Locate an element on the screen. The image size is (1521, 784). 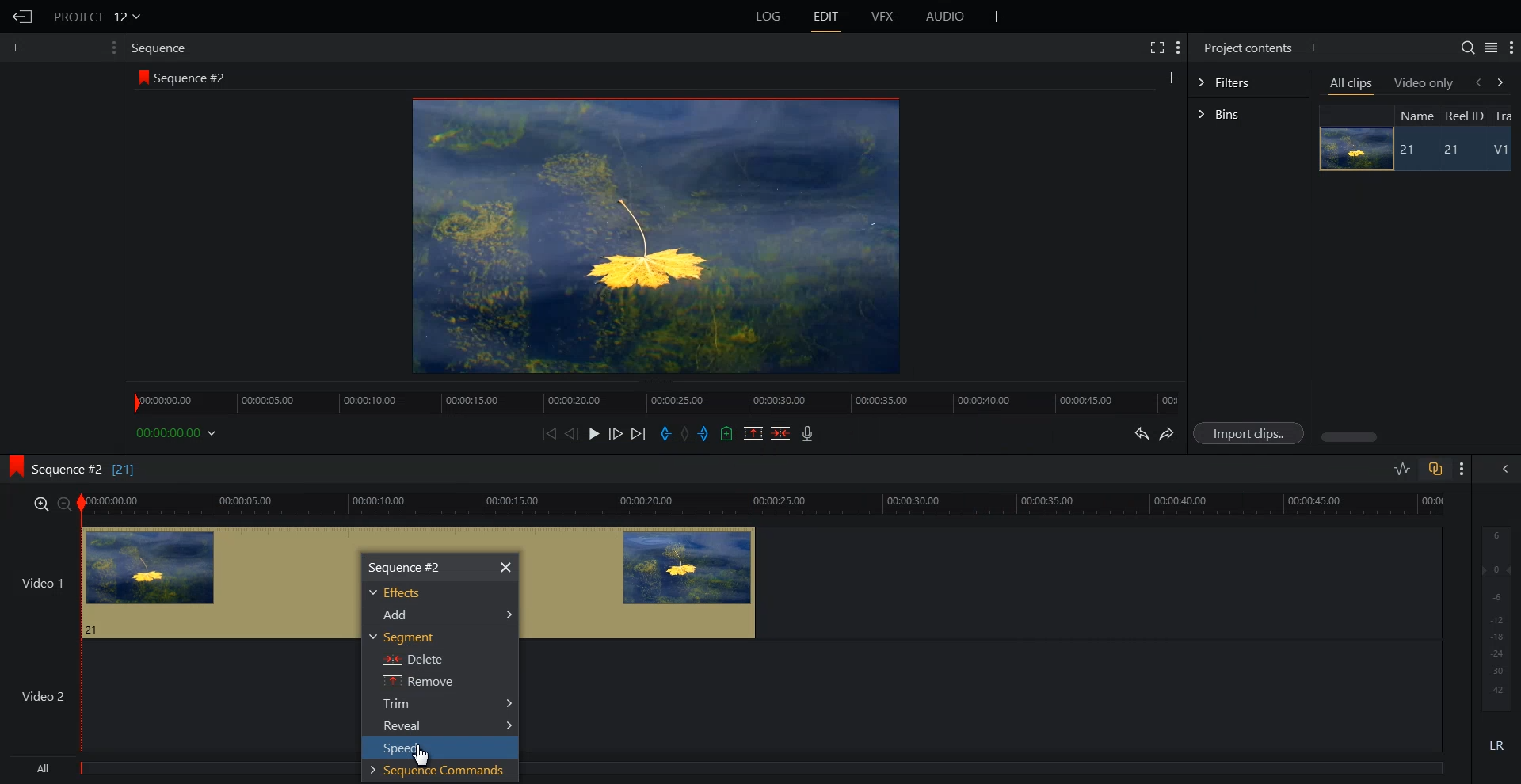
Show setting menu is located at coordinates (1462, 469).